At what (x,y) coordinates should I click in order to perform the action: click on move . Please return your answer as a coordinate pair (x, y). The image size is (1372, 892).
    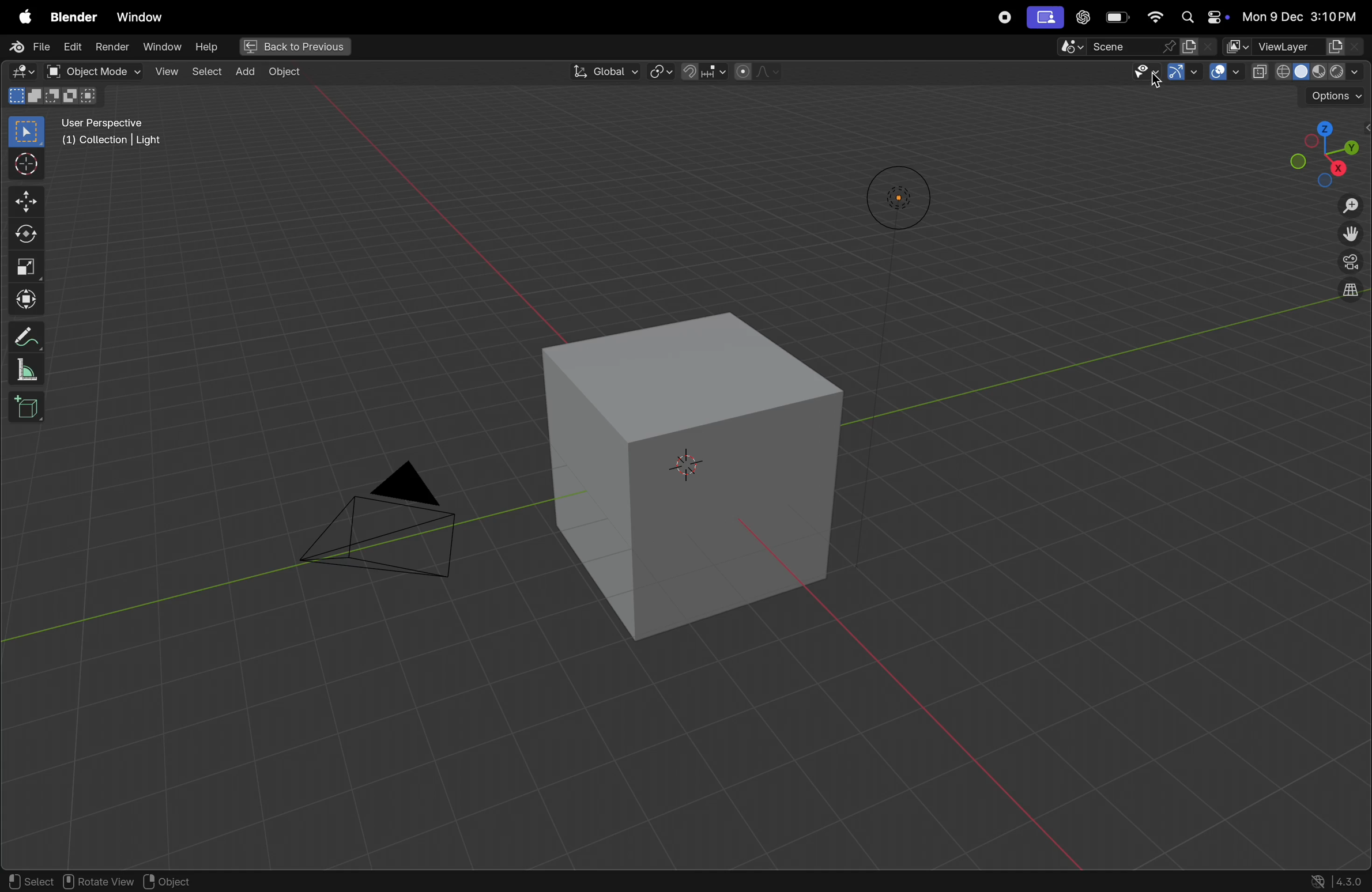
    Looking at the image, I should click on (24, 202).